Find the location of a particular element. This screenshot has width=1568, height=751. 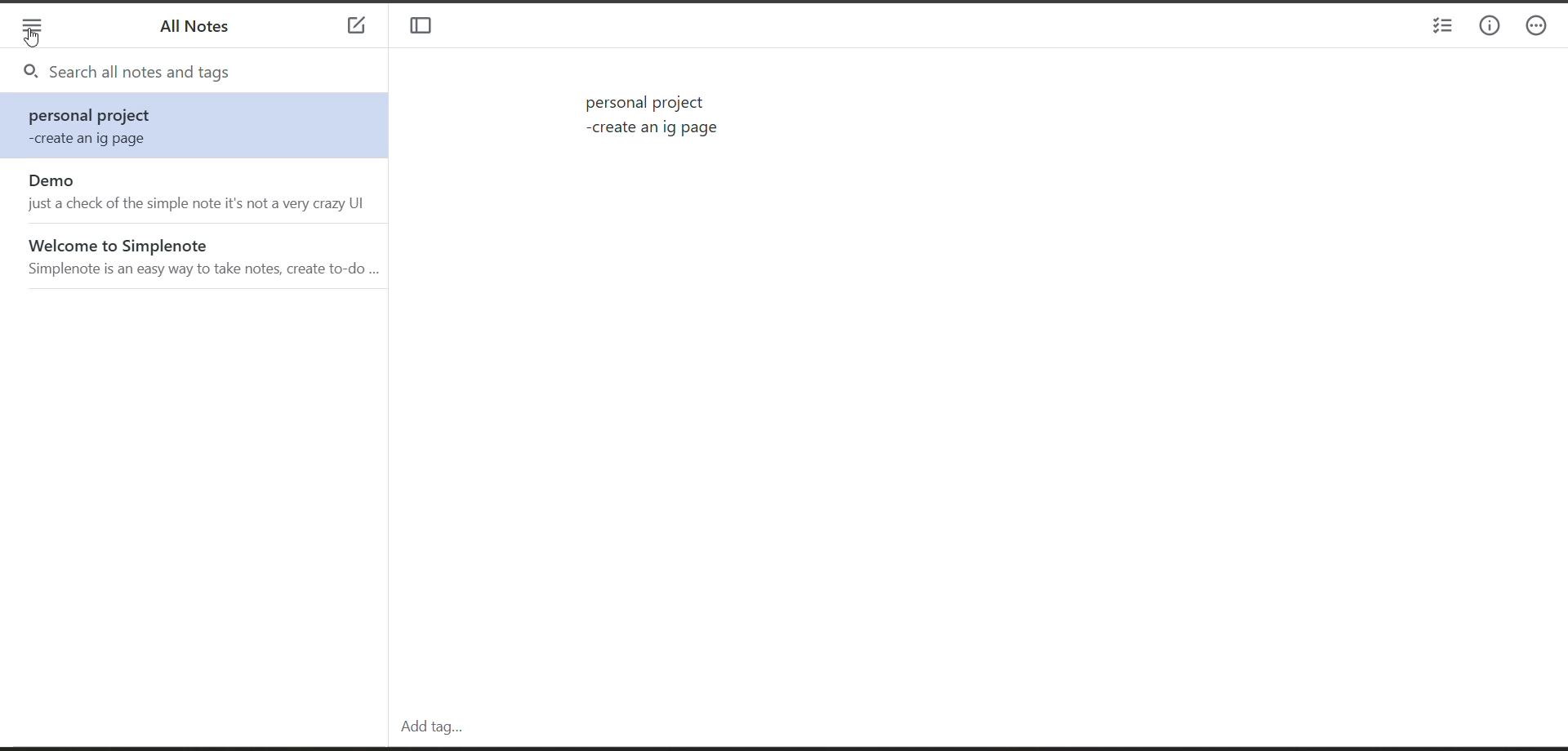

all notes is located at coordinates (201, 31).